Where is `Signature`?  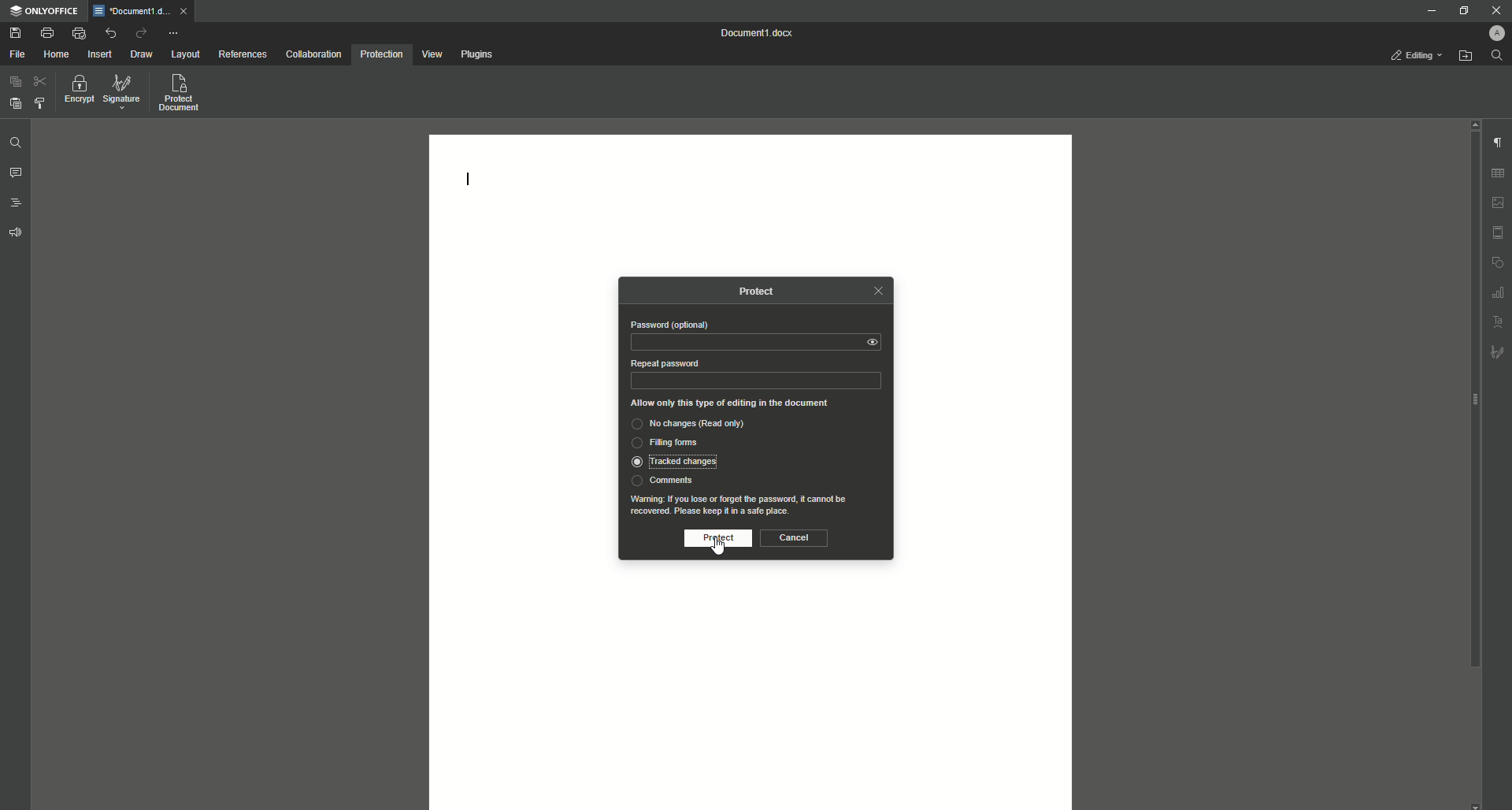 Signature is located at coordinates (122, 92).